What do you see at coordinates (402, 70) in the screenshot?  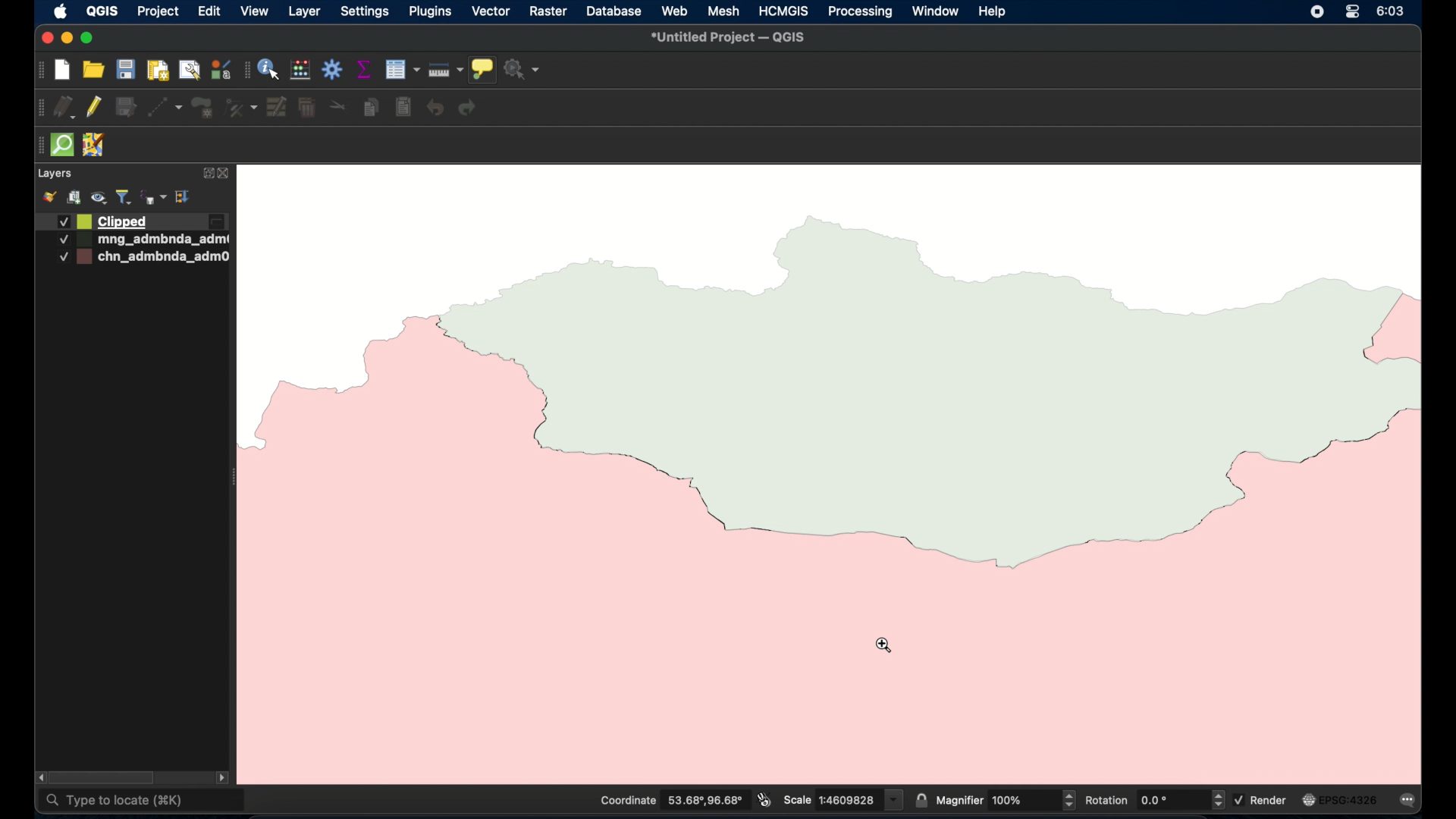 I see `open attribute table` at bounding box center [402, 70].